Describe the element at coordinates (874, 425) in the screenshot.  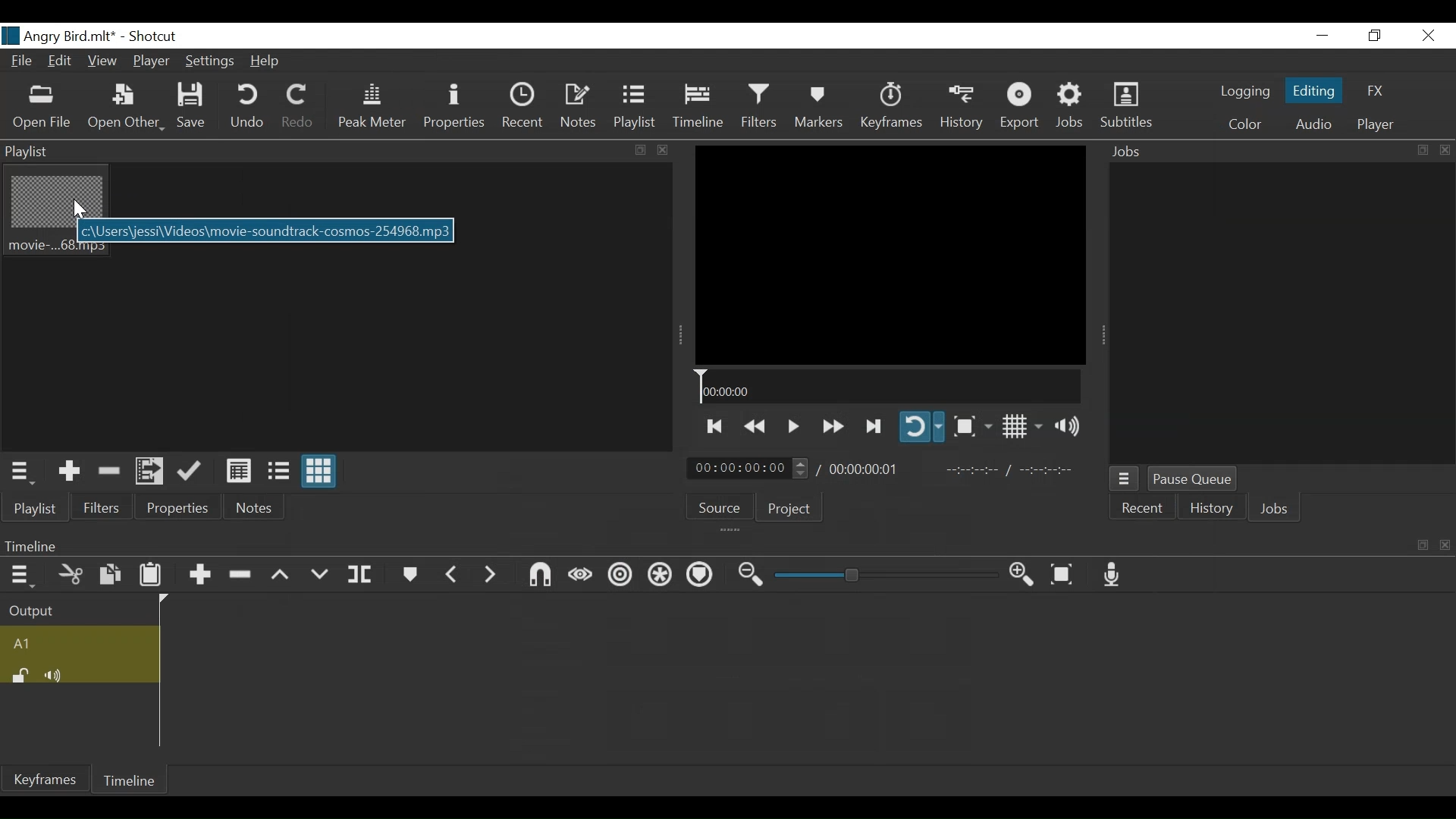
I see `Play forward quickly` at that location.